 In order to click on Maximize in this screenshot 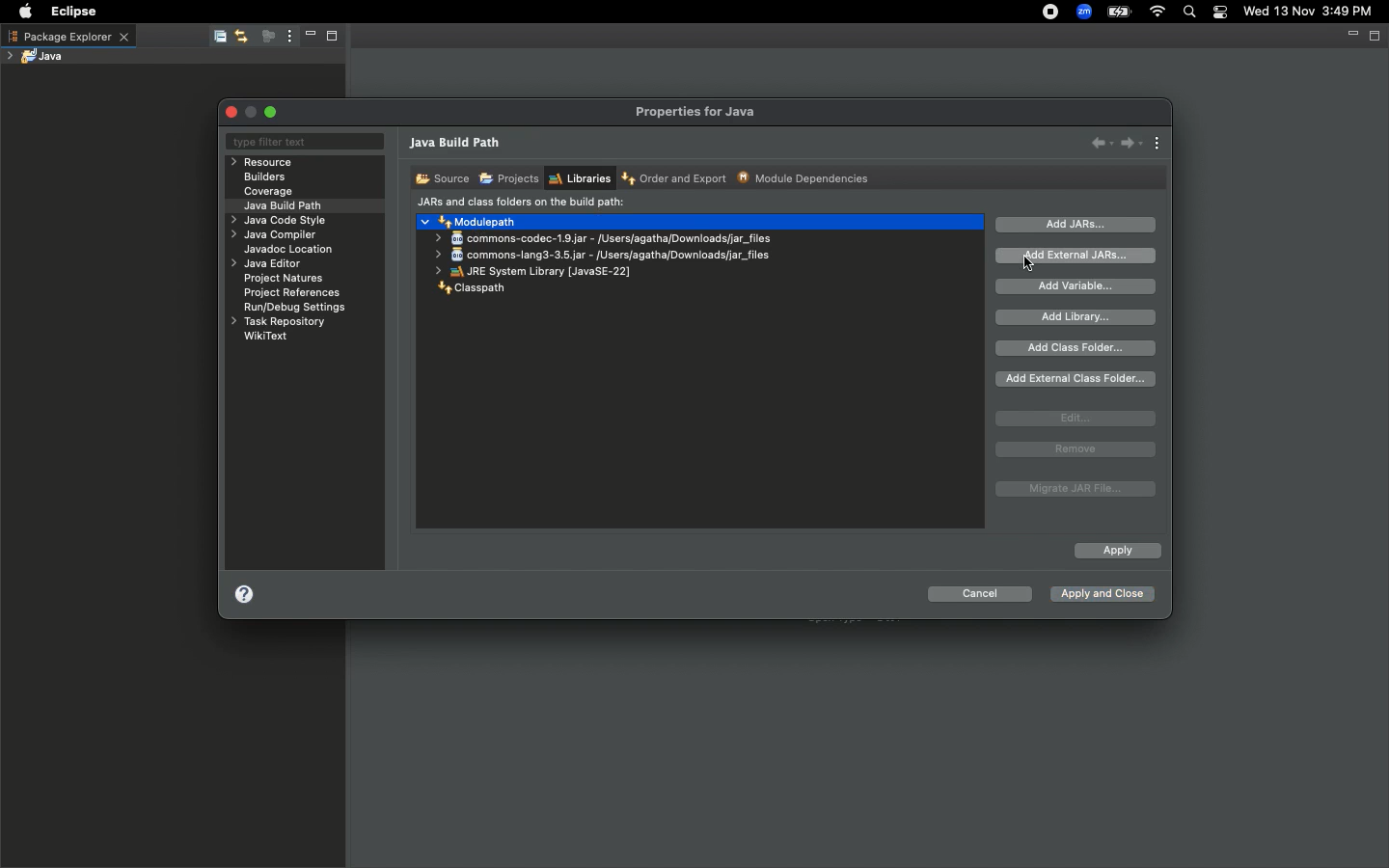, I will do `click(1376, 37)`.